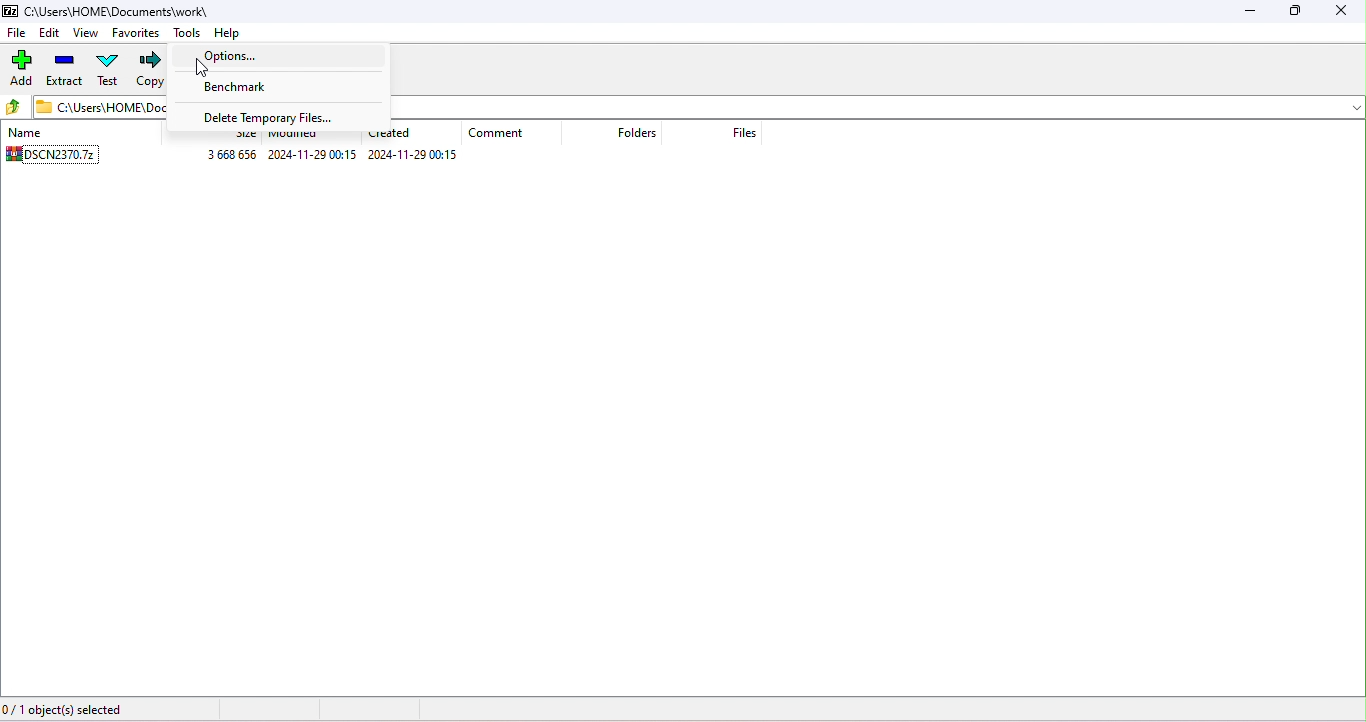 Image resolution: width=1366 pixels, height=722 pixels. I want to click on name, so click(28, 133).